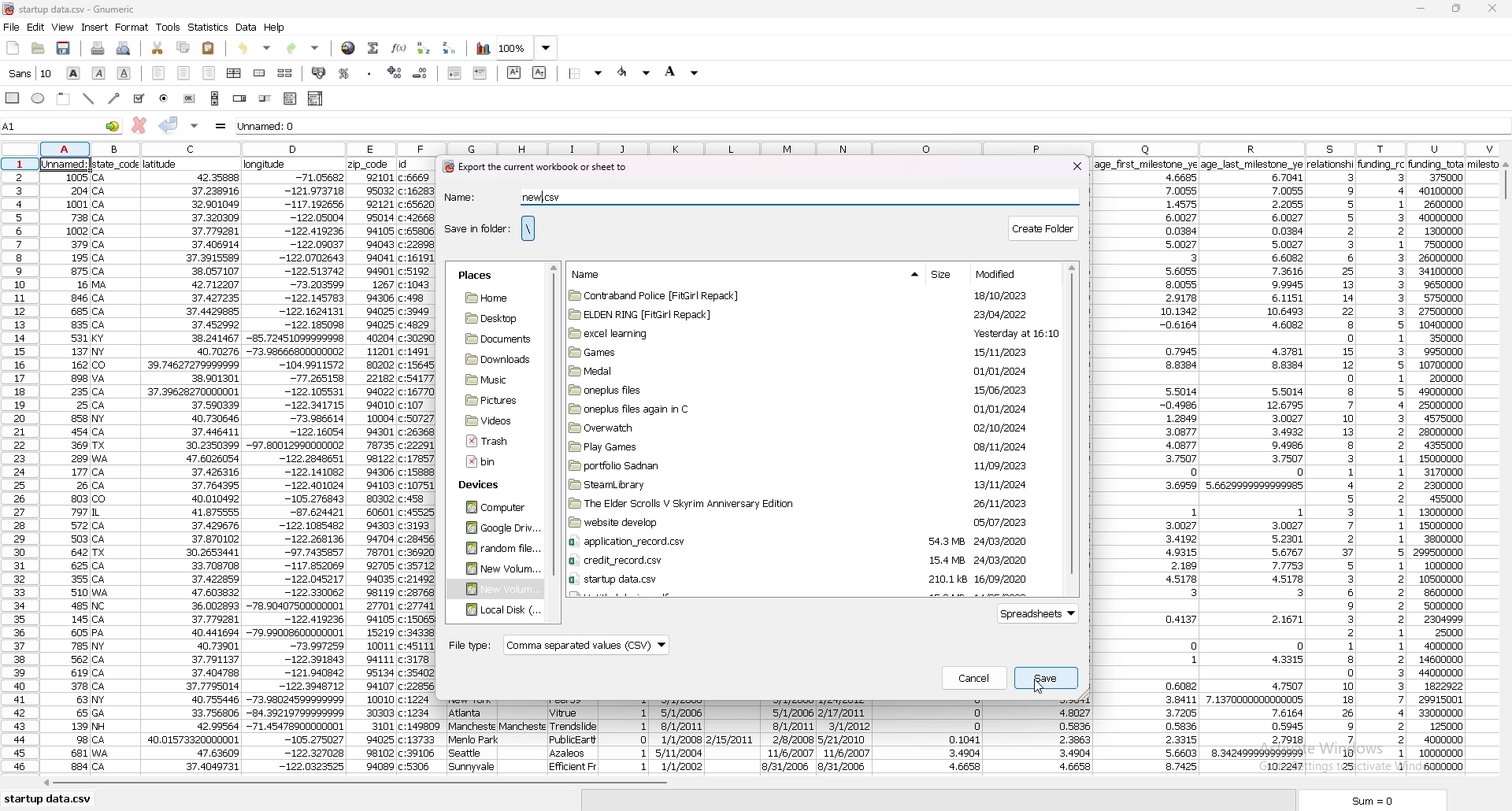  What do you see at coordinates (802, 370) in the screenshot?
I see `folder` at bounding box center [802, 370].